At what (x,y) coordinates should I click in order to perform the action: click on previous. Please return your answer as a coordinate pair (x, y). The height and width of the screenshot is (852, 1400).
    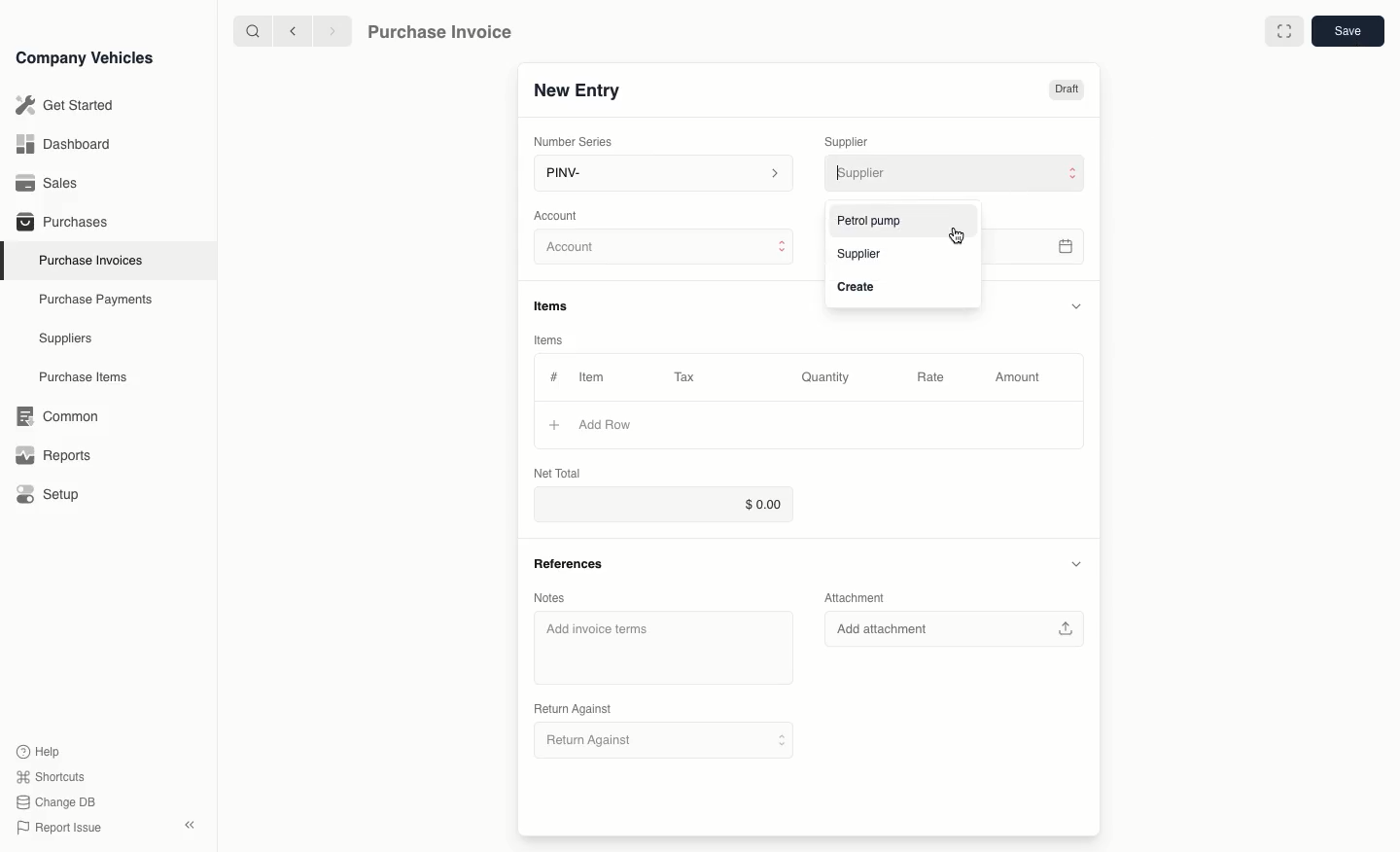
    Looking at the image, I should click on (291, 30).